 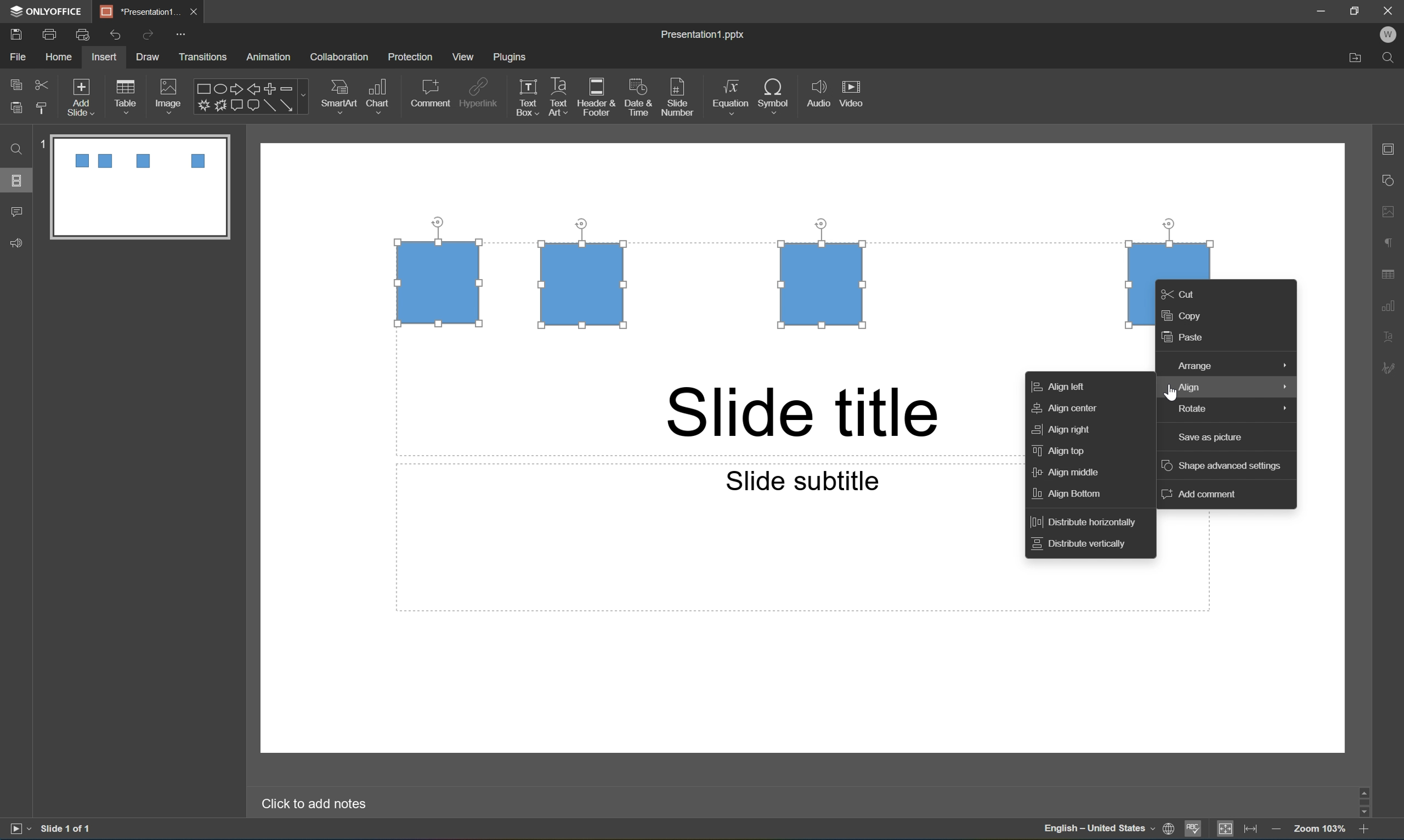 What do you see at coordinates (58, 58) in the screenshot?
I see `home` at bounding box center [58, 58].